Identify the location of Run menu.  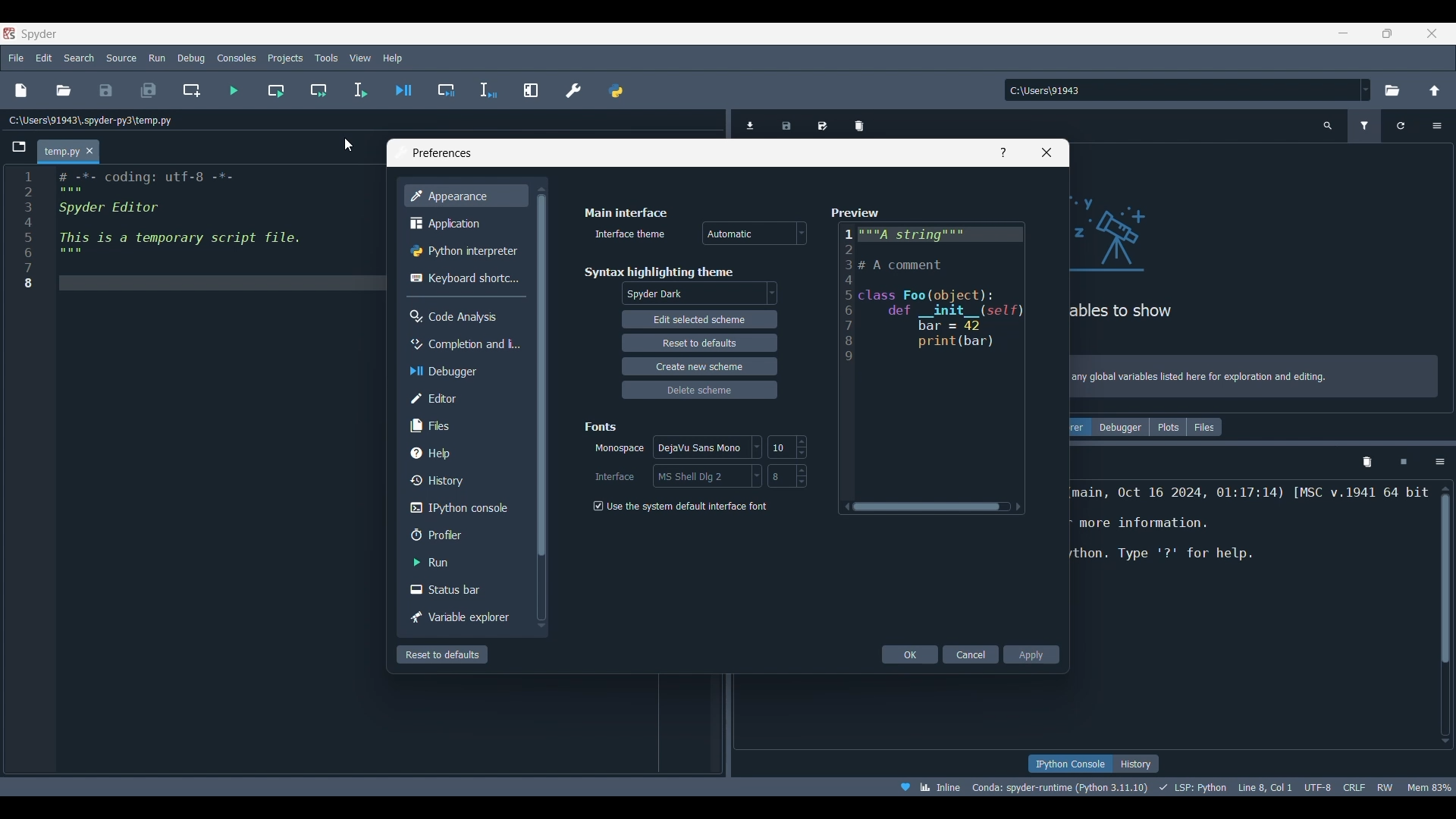
(157, 58).